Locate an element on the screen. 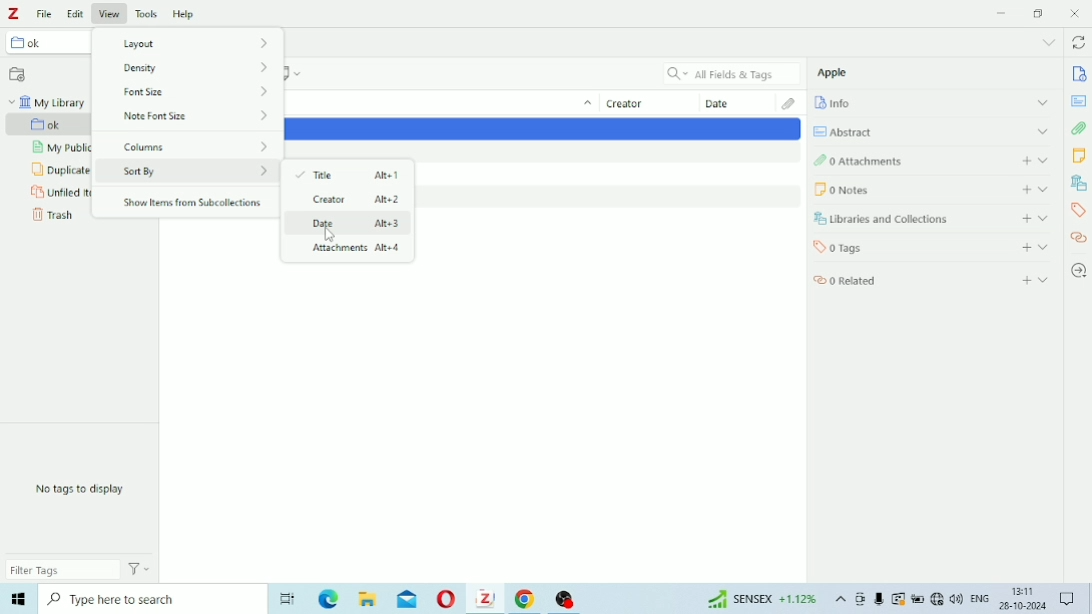  Abstract is located at coordinates (1080, 100).